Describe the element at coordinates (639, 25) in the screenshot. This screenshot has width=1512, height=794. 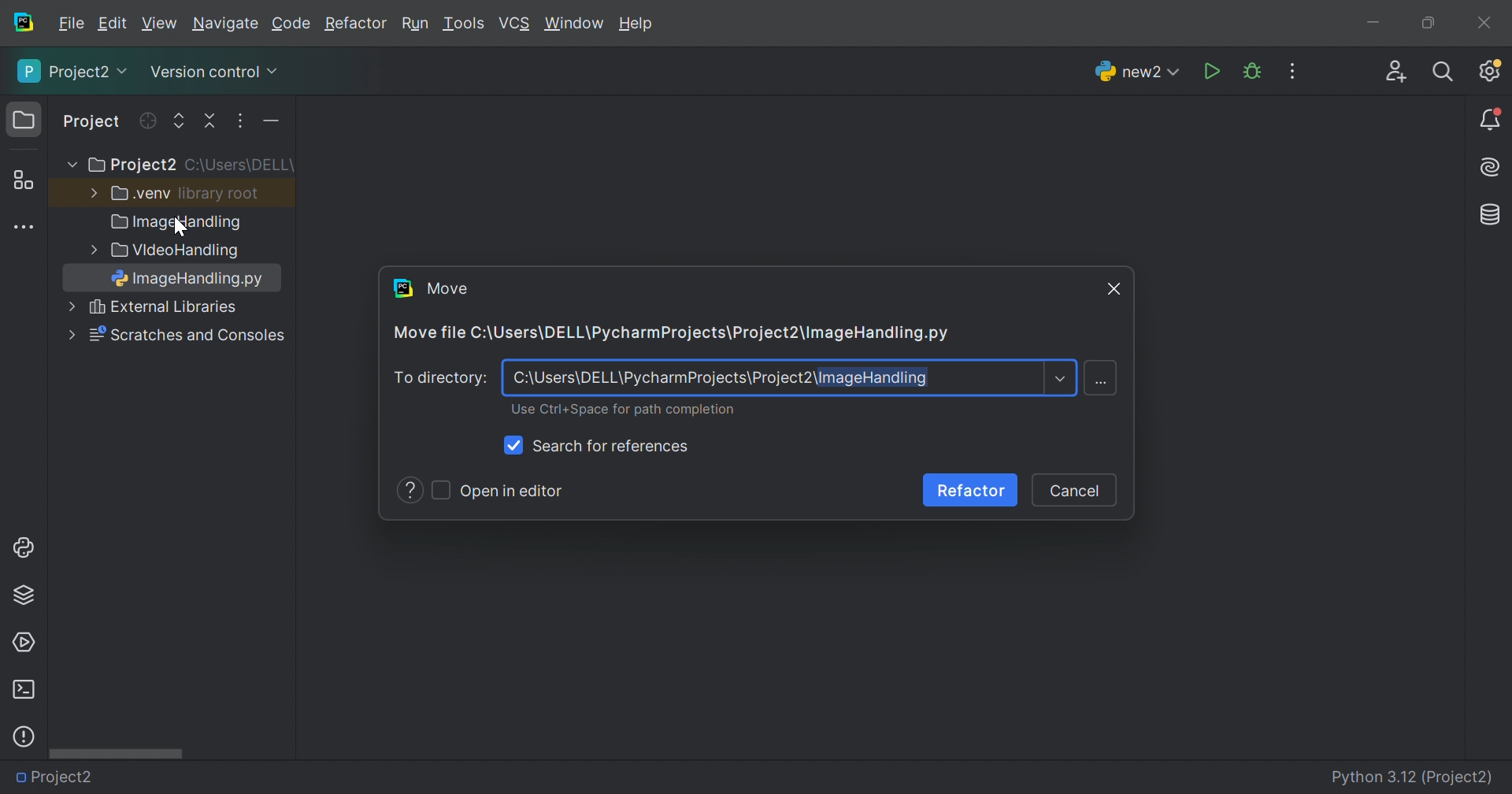
I see `Help` at that location.